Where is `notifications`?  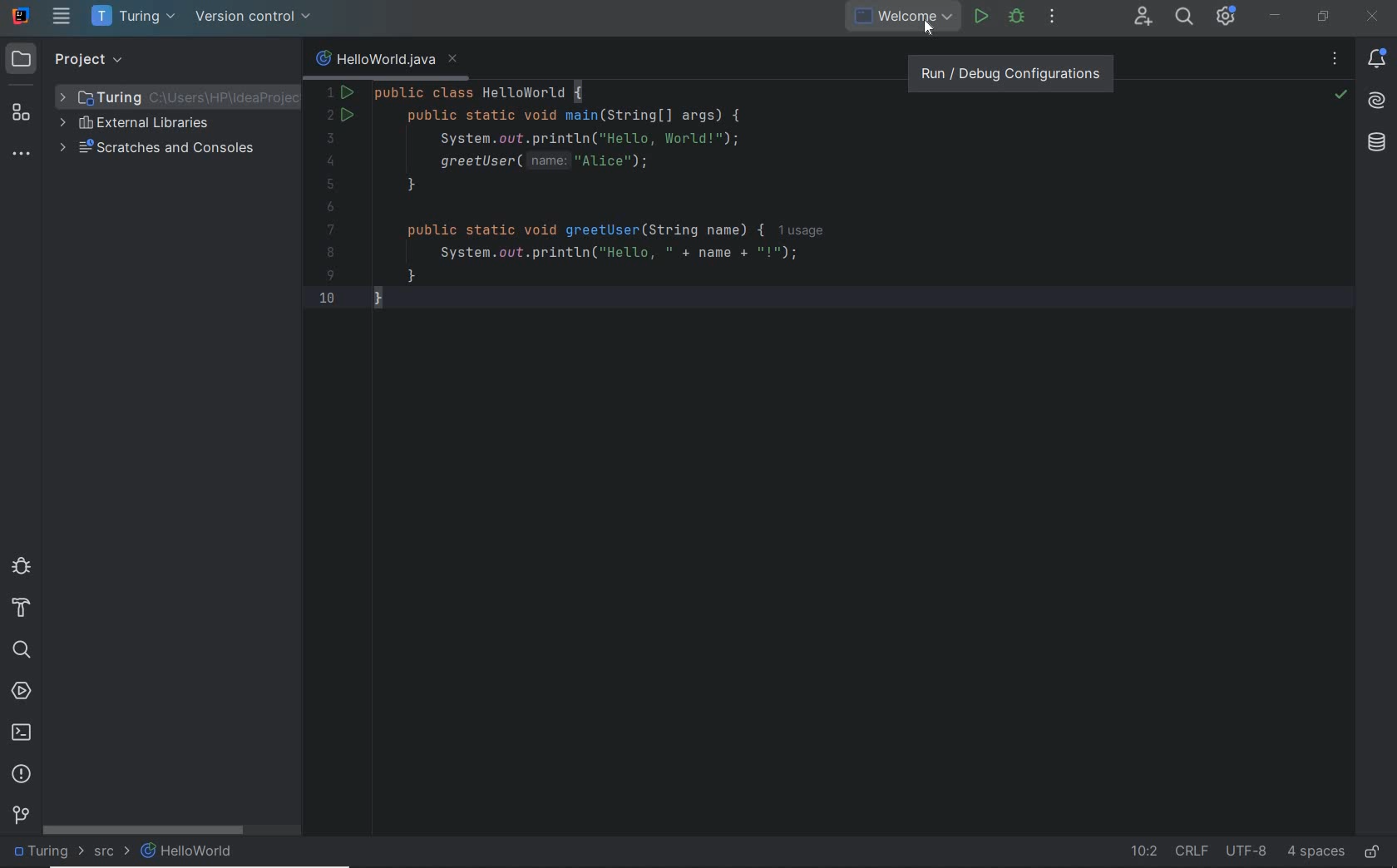
notifications is located at coordinates (1380, 60).